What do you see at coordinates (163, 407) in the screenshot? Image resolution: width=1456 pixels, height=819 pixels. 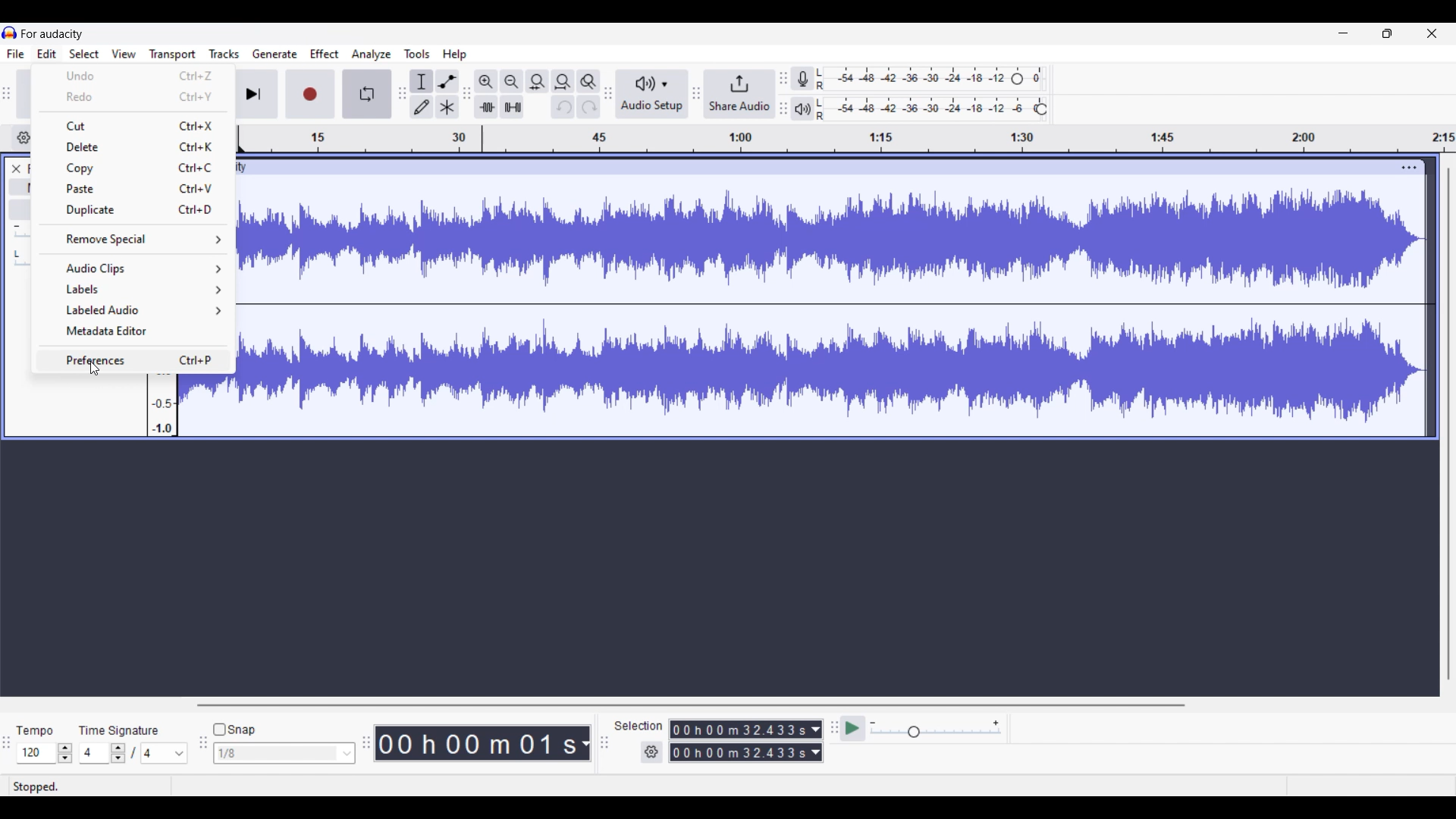 I see `Scale to measure track intensity` at bounding box center [163, 407].